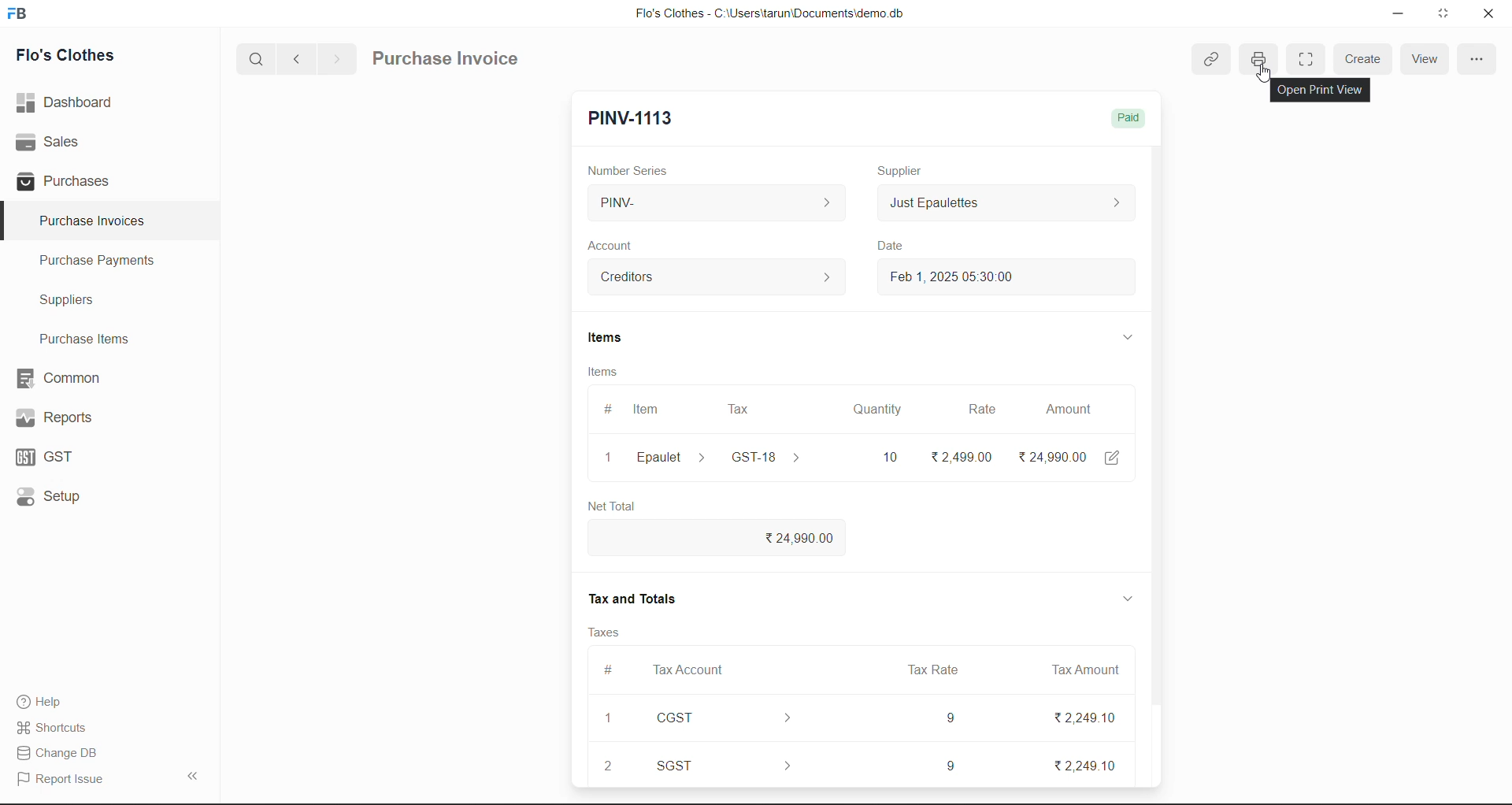 This screenshot has height=805, width=1512. What do you see at coordinates (728, 762) in the screenshot?
I see `SGST` at bounding box center [728, 762].